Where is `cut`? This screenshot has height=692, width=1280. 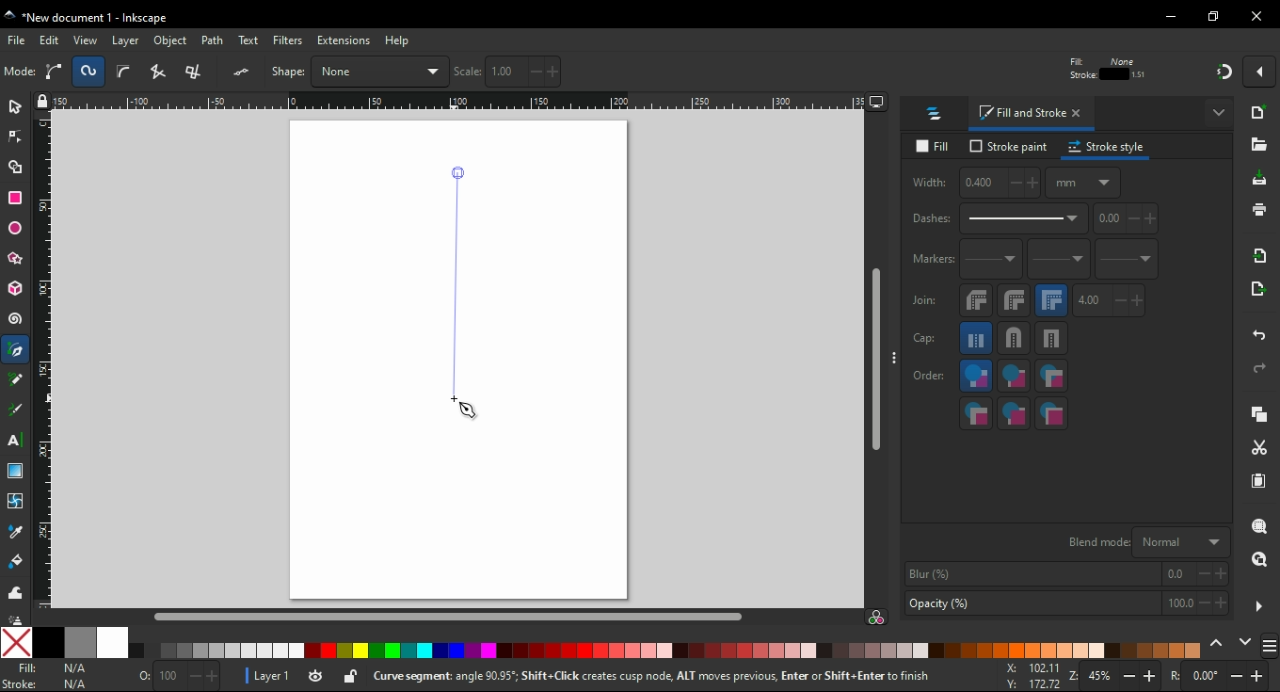
cut is located at coordinates (1258, 449).